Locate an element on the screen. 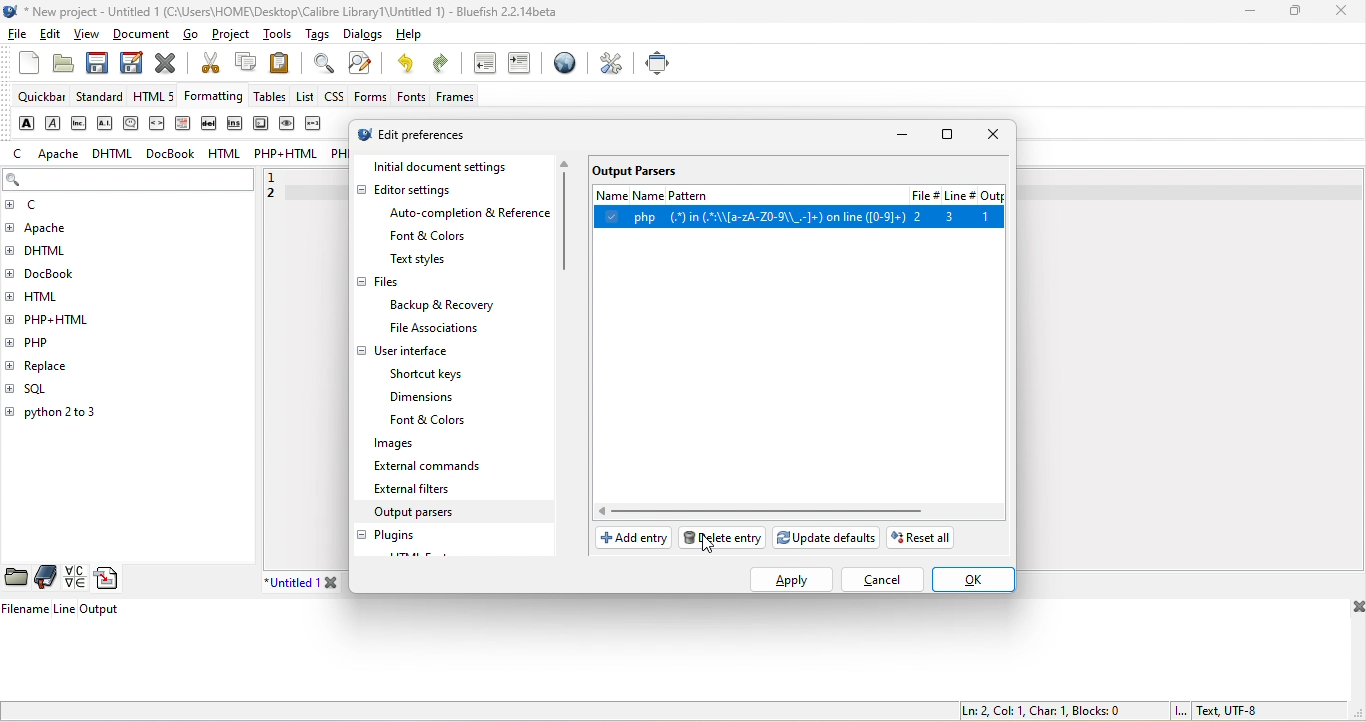 The width and height of the screenshot is (1366, 722). preferences is located at coordinates (612, 63).